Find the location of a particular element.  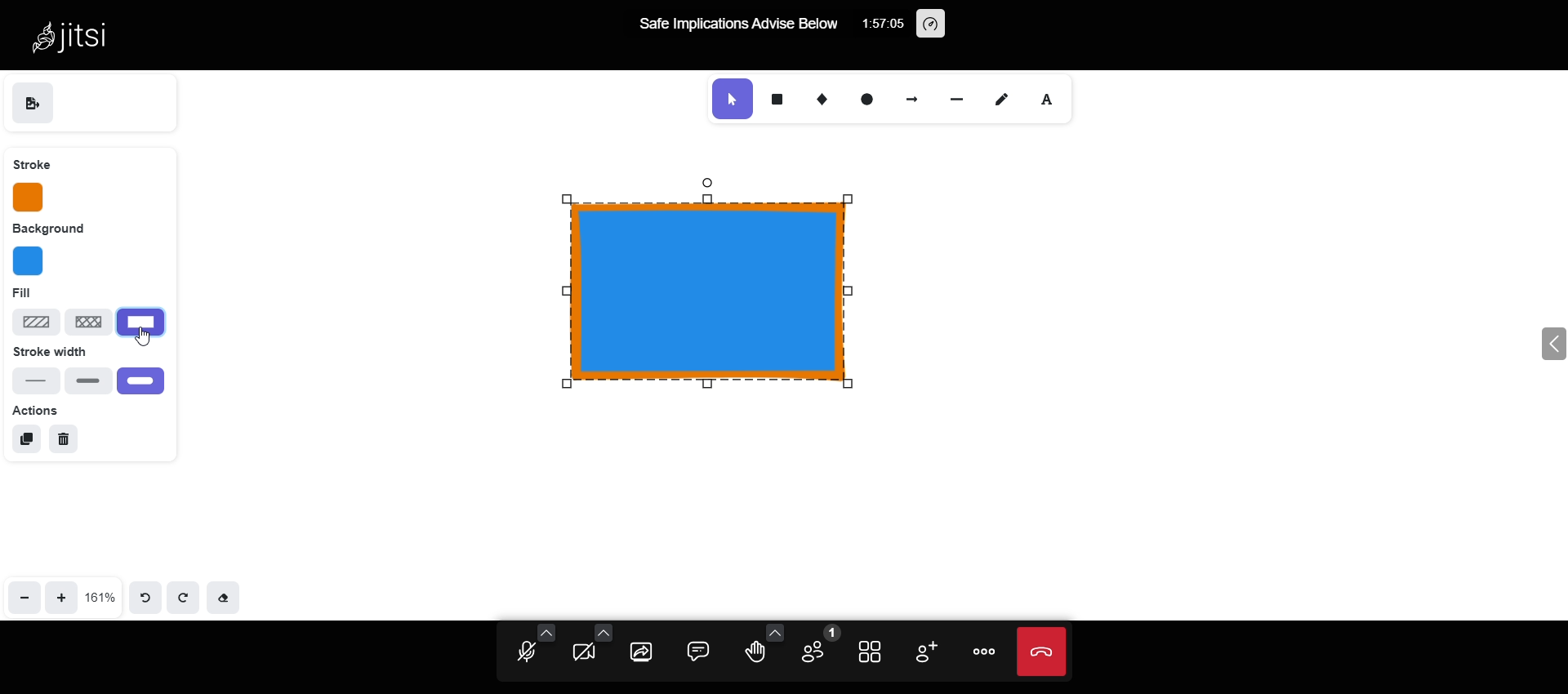

undo is located at coordinates (144, 598).